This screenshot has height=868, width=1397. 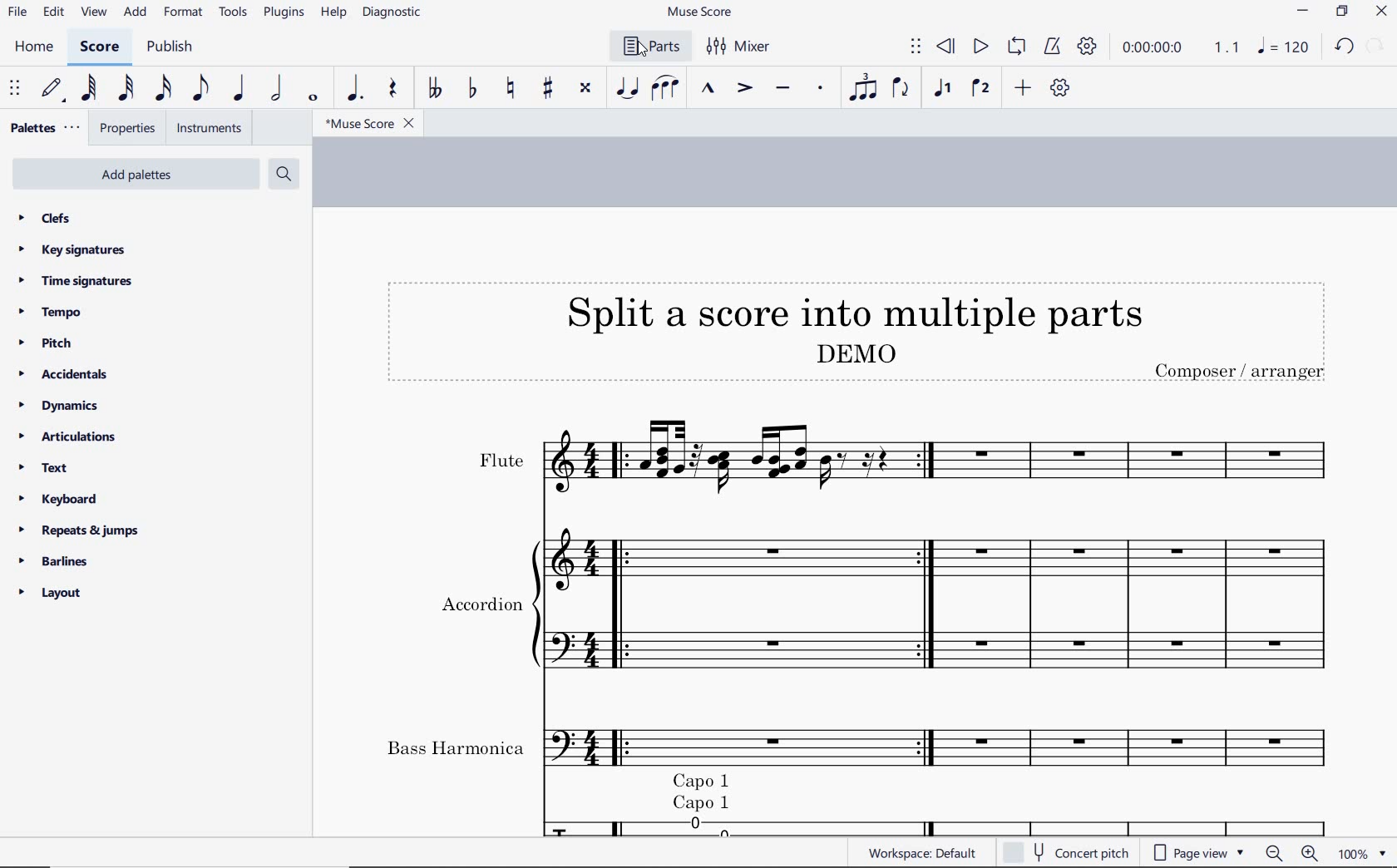 I want to click on accidentals, so click(x=65, y=376).